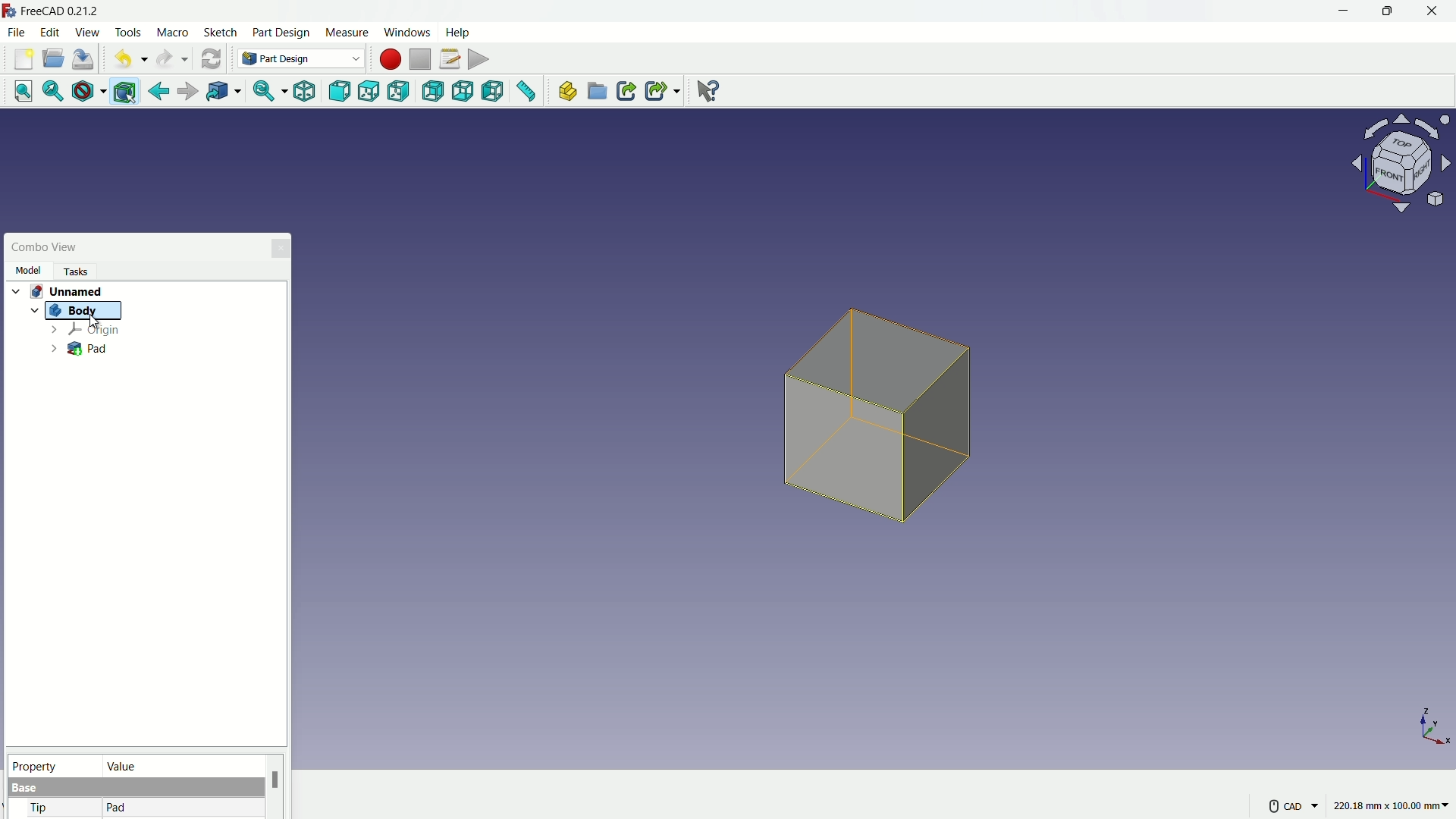 The height and width of the screenshot is (819, 1456). I want to click on create part, so click(566, 92).